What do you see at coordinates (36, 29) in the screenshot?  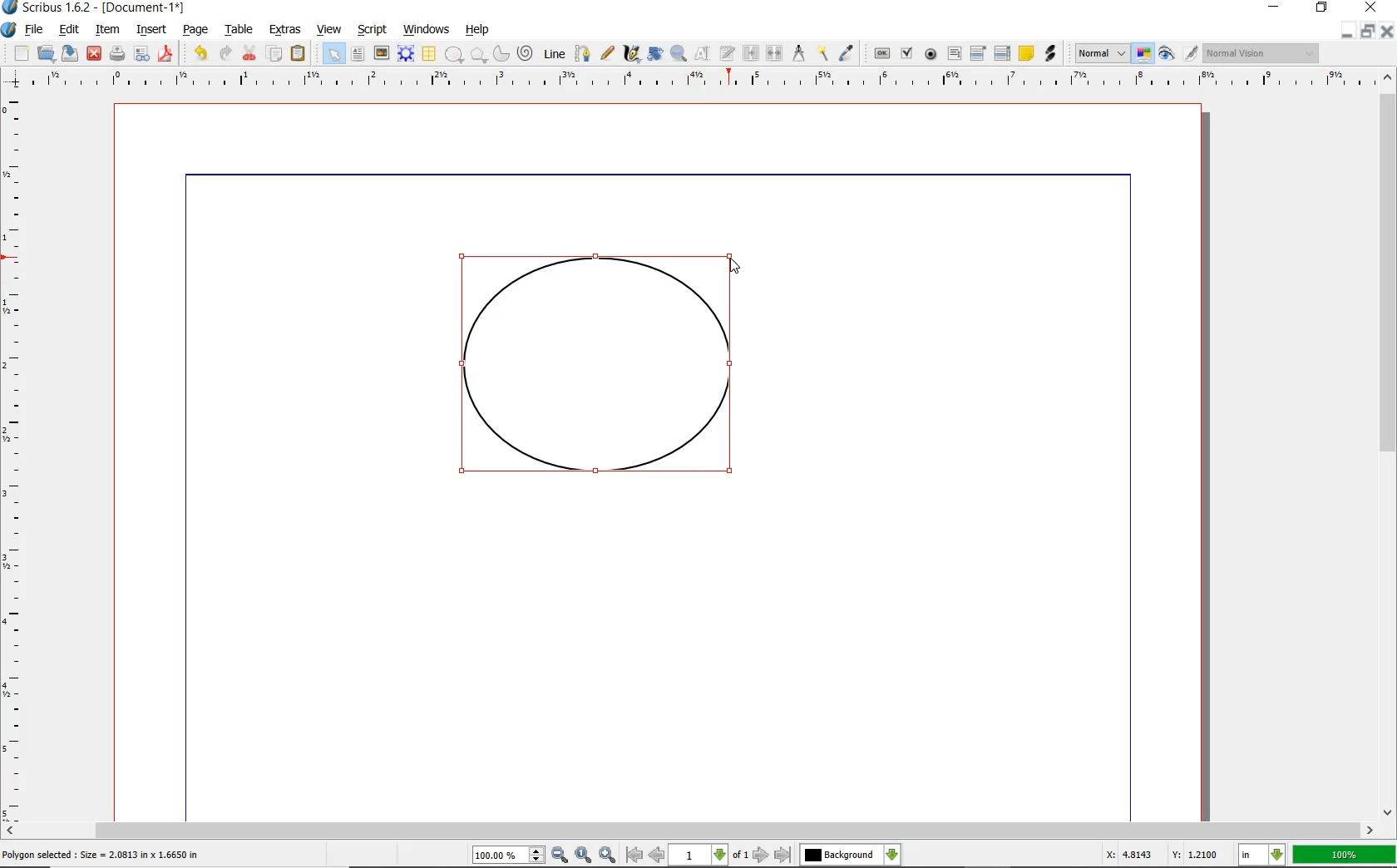 I see `FILE` at bounding box center [36, 29].